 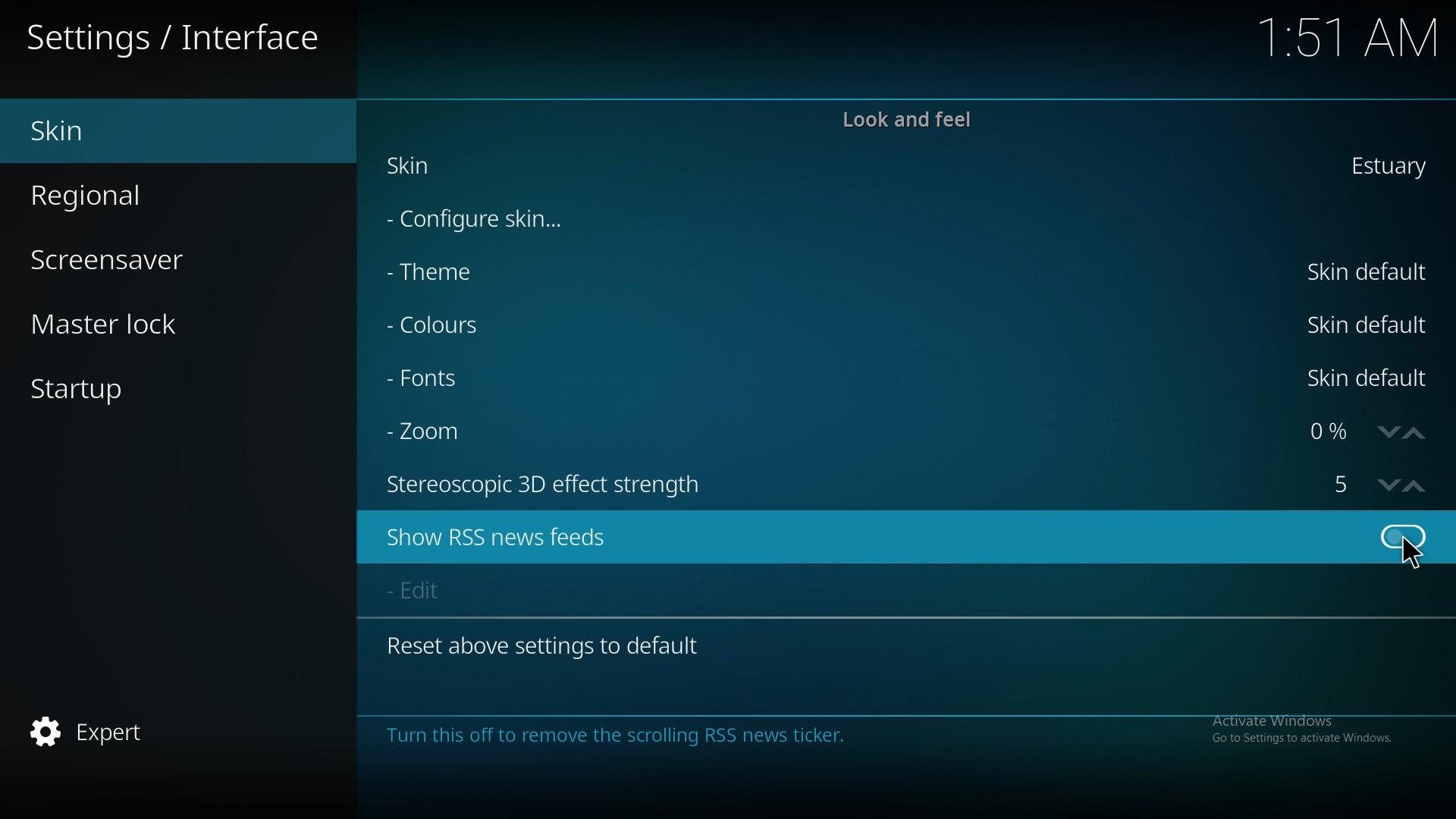 I want to click on stereoscopic 3d effect strength, so click(x=554, y=483).